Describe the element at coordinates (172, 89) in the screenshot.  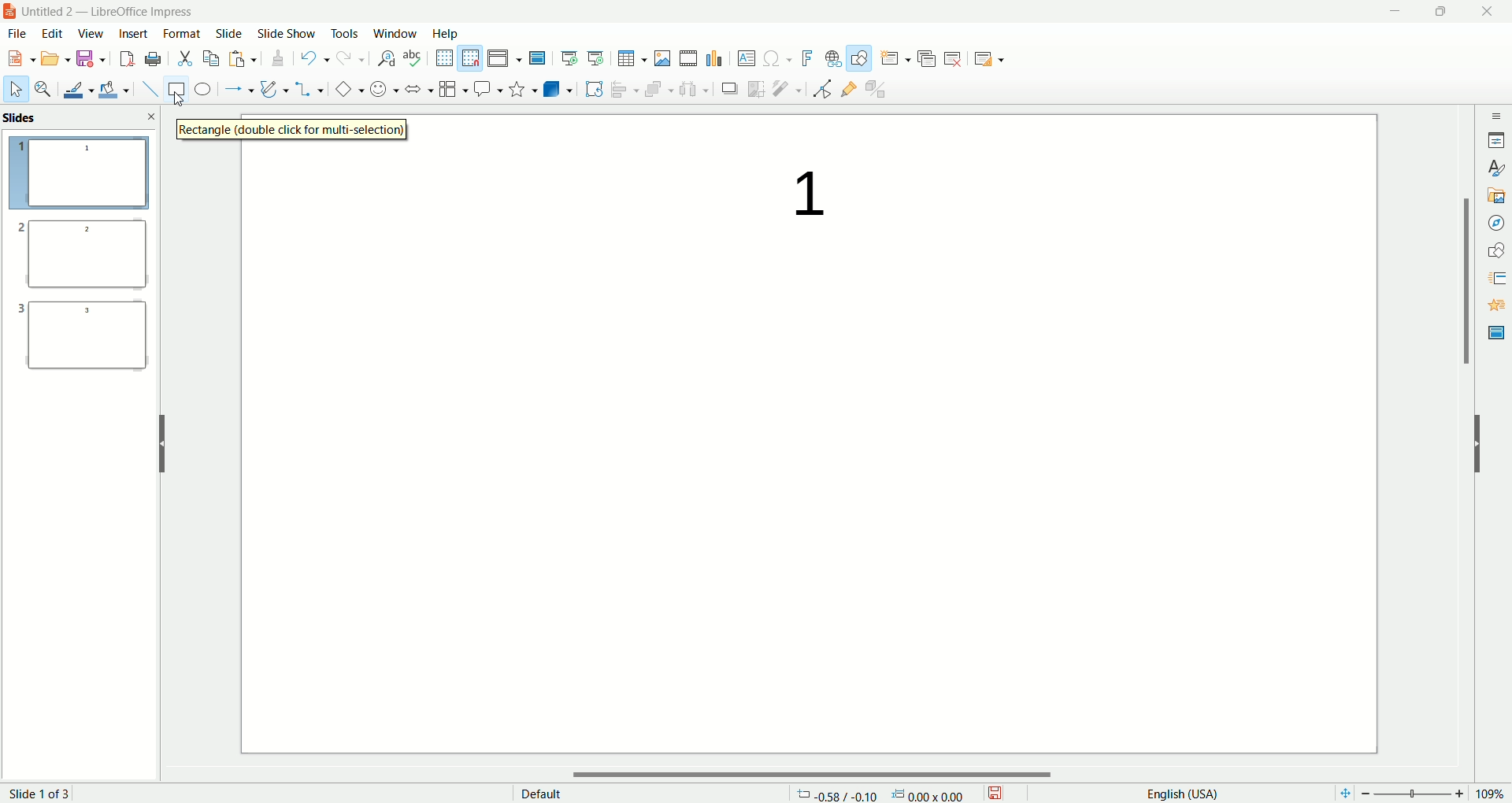
I see `rectangle` at that location.